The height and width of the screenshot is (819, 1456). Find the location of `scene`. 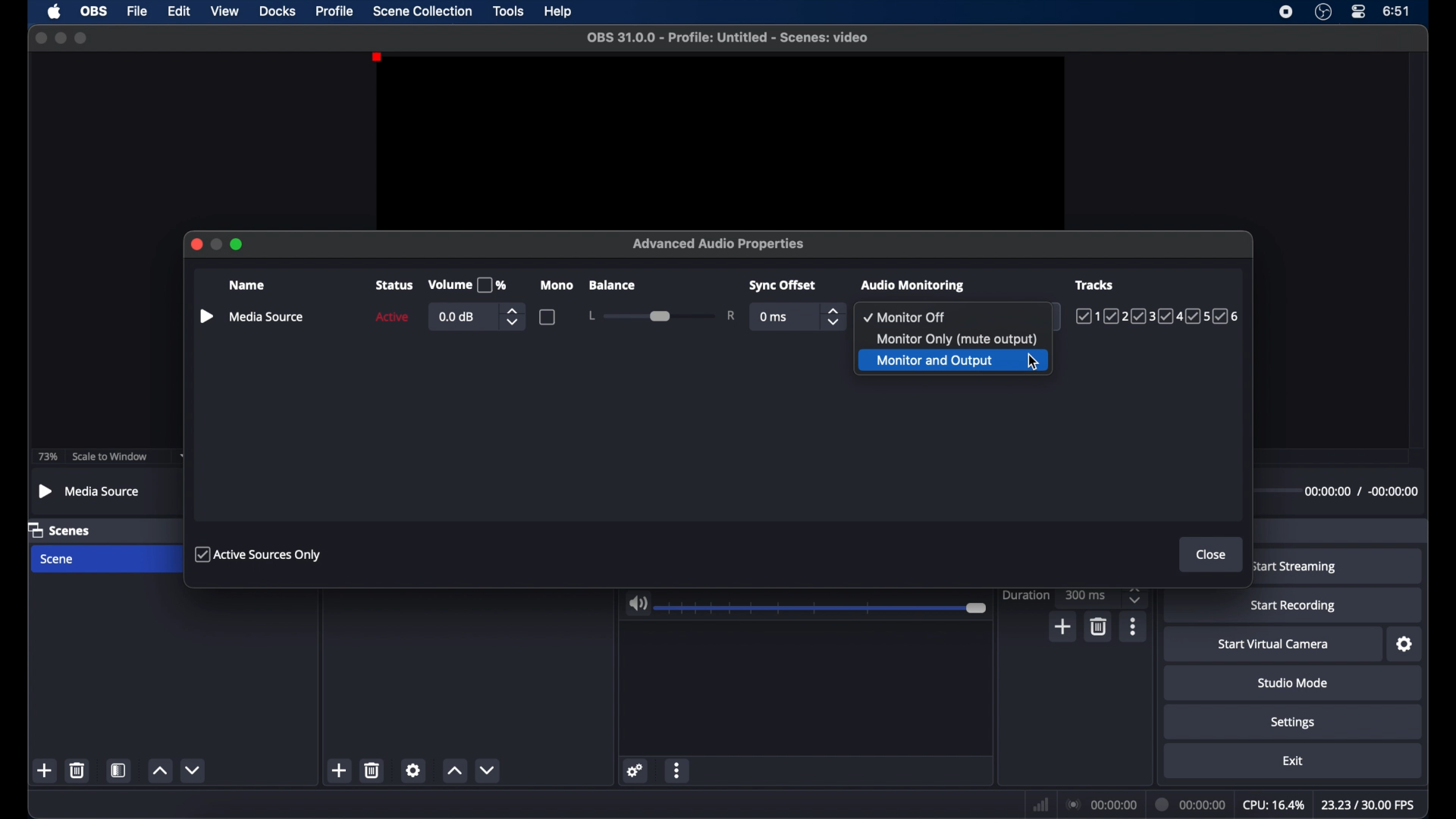

scene is located at coordinates (58, 560).